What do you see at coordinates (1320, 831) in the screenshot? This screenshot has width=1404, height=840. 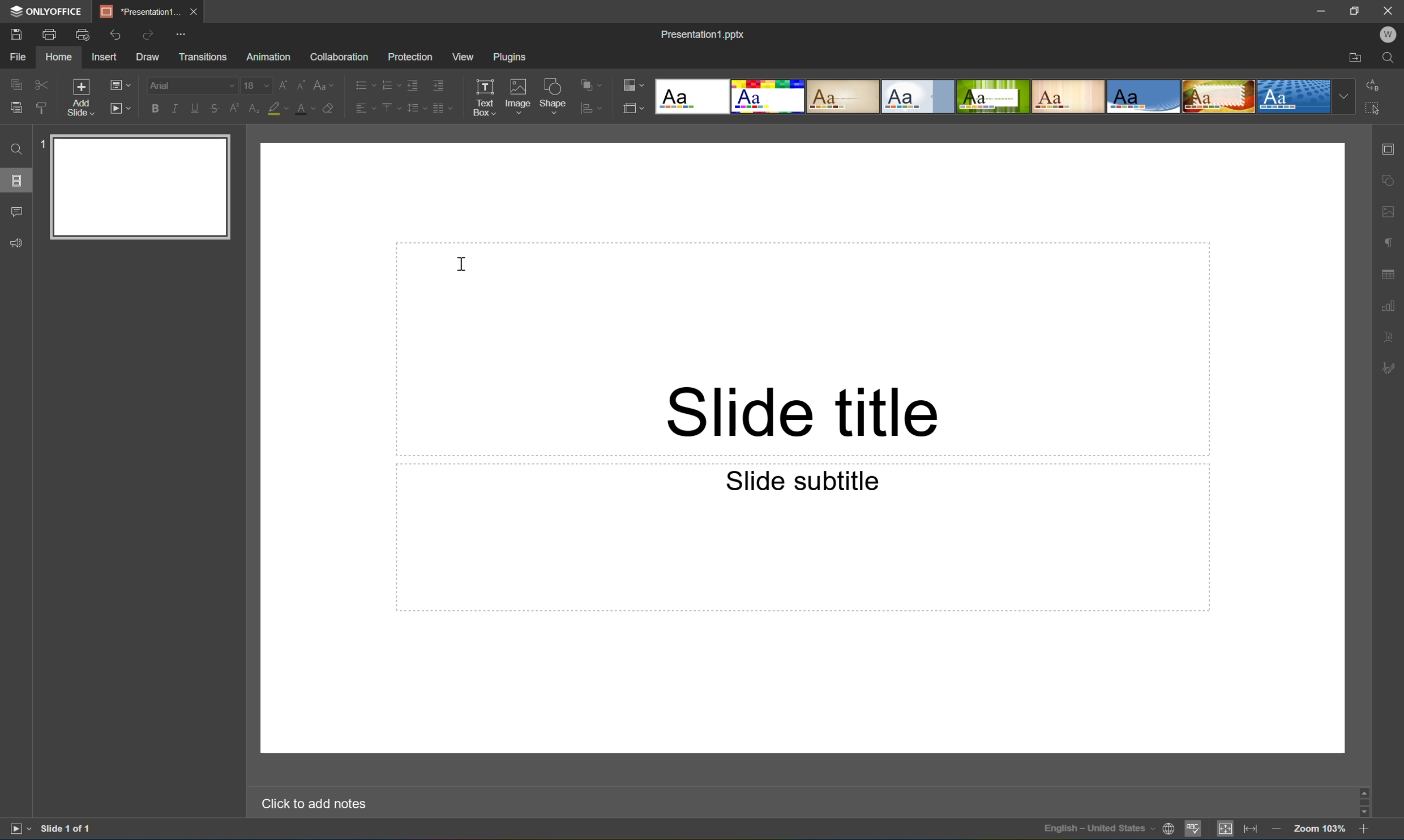 I see `Zoom 103%` at bounding box center [1320, 831].